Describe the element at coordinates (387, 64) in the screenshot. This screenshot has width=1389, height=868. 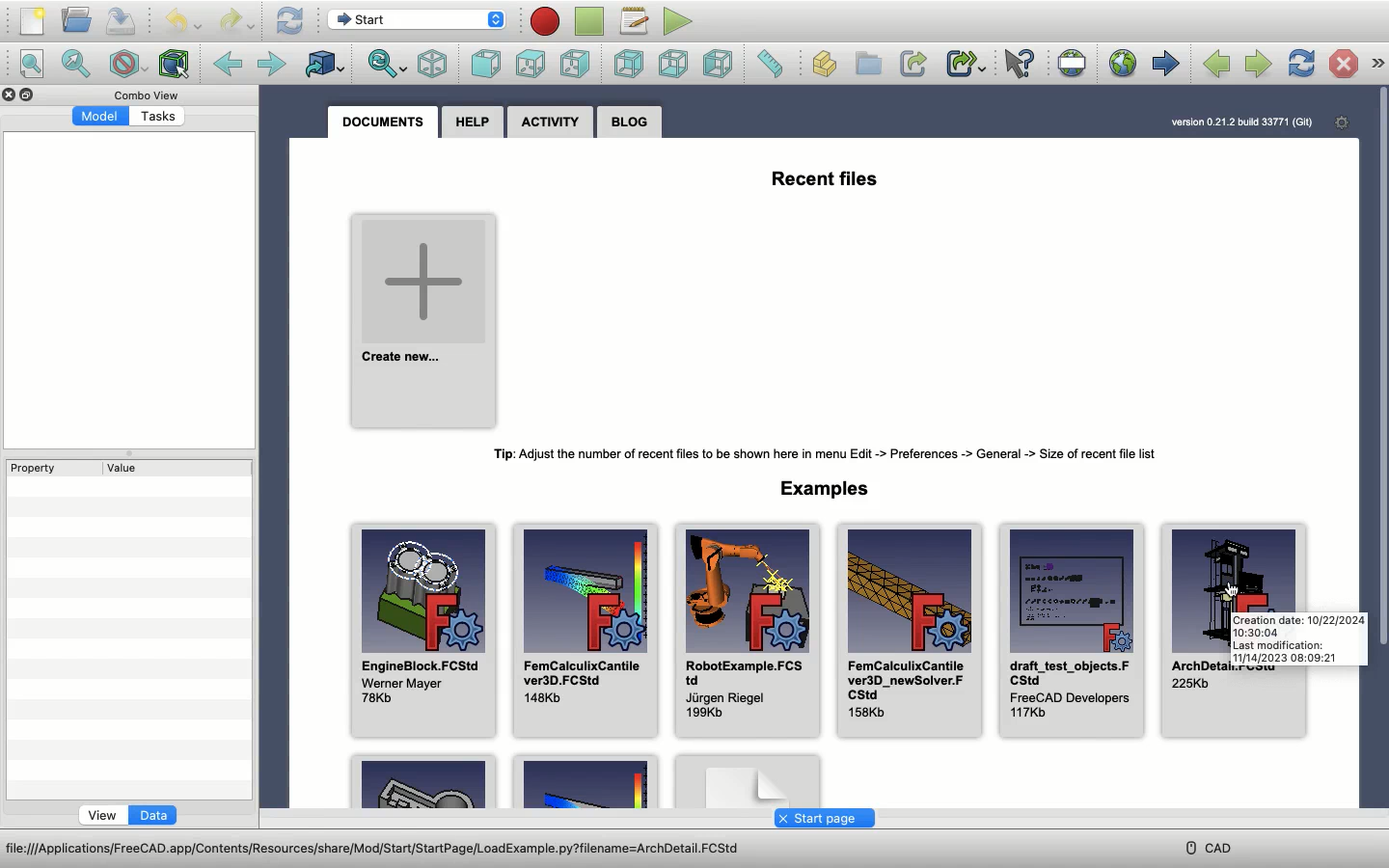
I see `Sync view` at that location.